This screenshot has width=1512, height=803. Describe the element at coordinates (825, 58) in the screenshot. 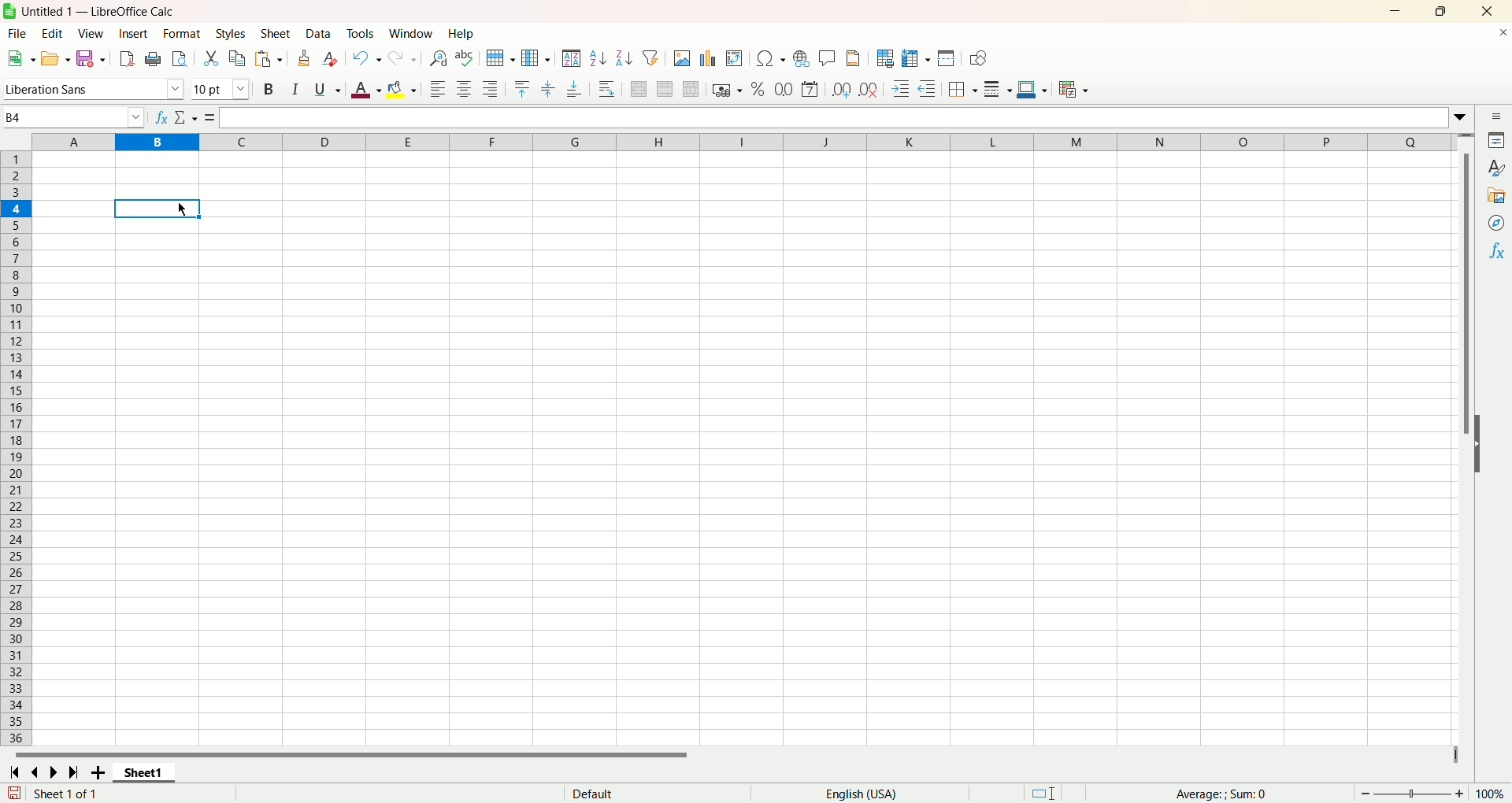

I see `insert comment` at that location.